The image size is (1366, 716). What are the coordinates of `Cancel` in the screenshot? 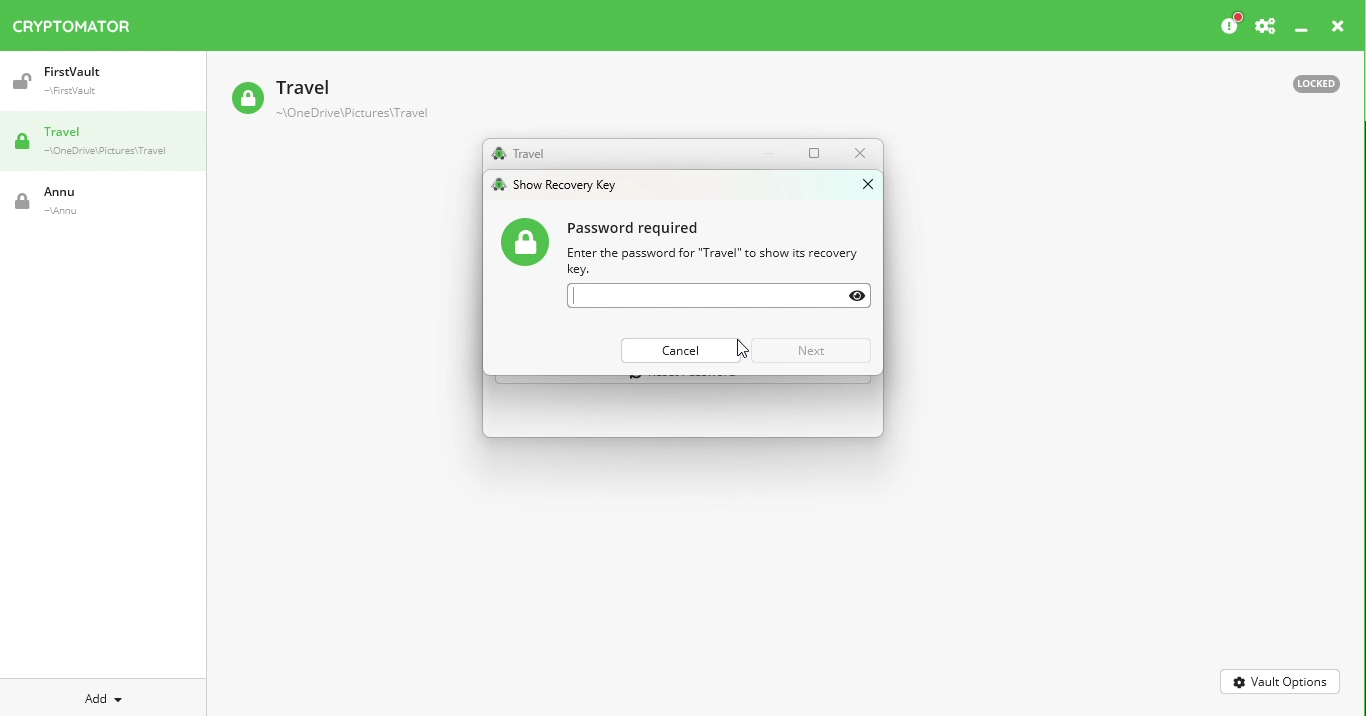 It's located at (683, 350).